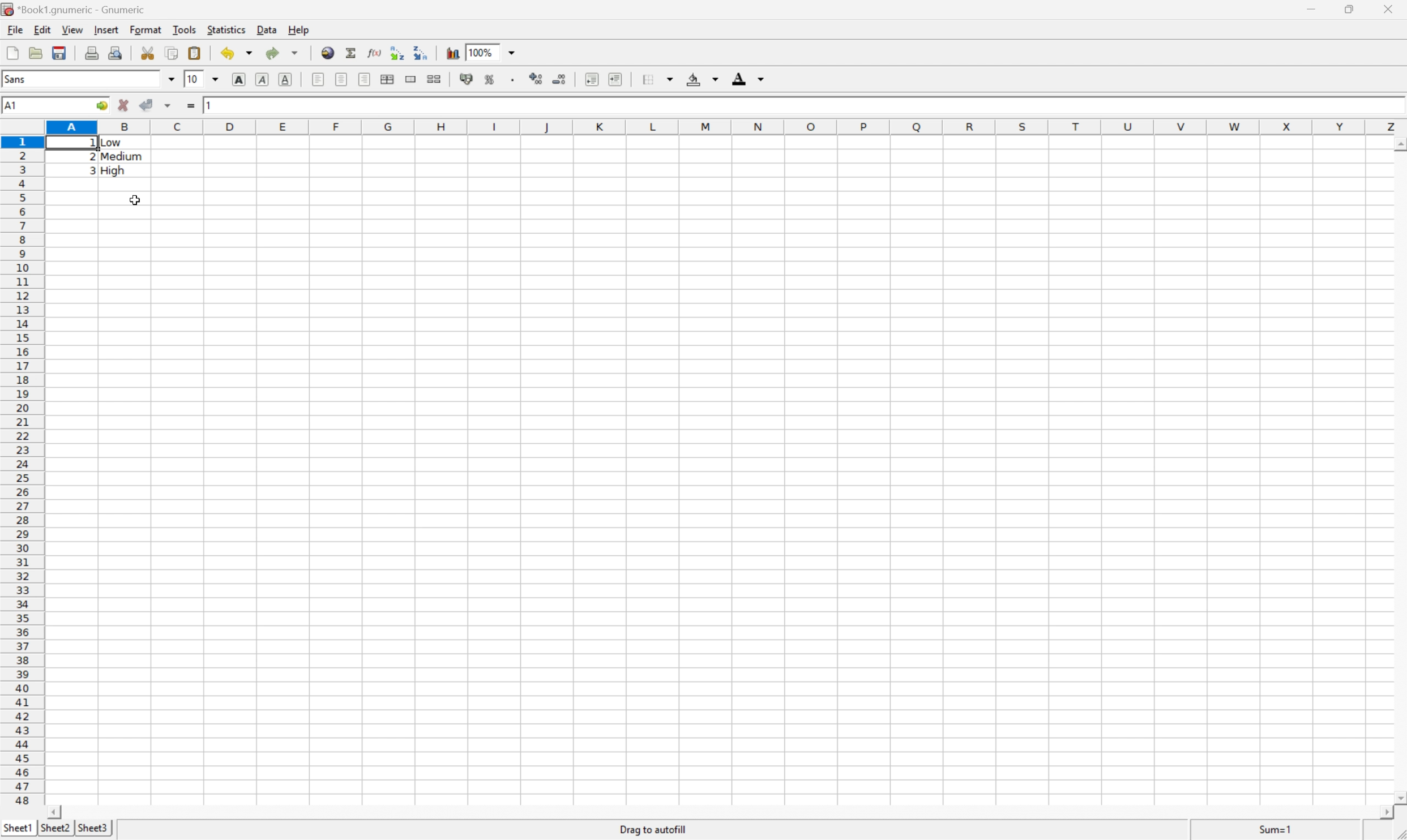  What do you see at coordinates (19, 79) in the screenshot?
I see `Sans` at bounding box center [19, 79].